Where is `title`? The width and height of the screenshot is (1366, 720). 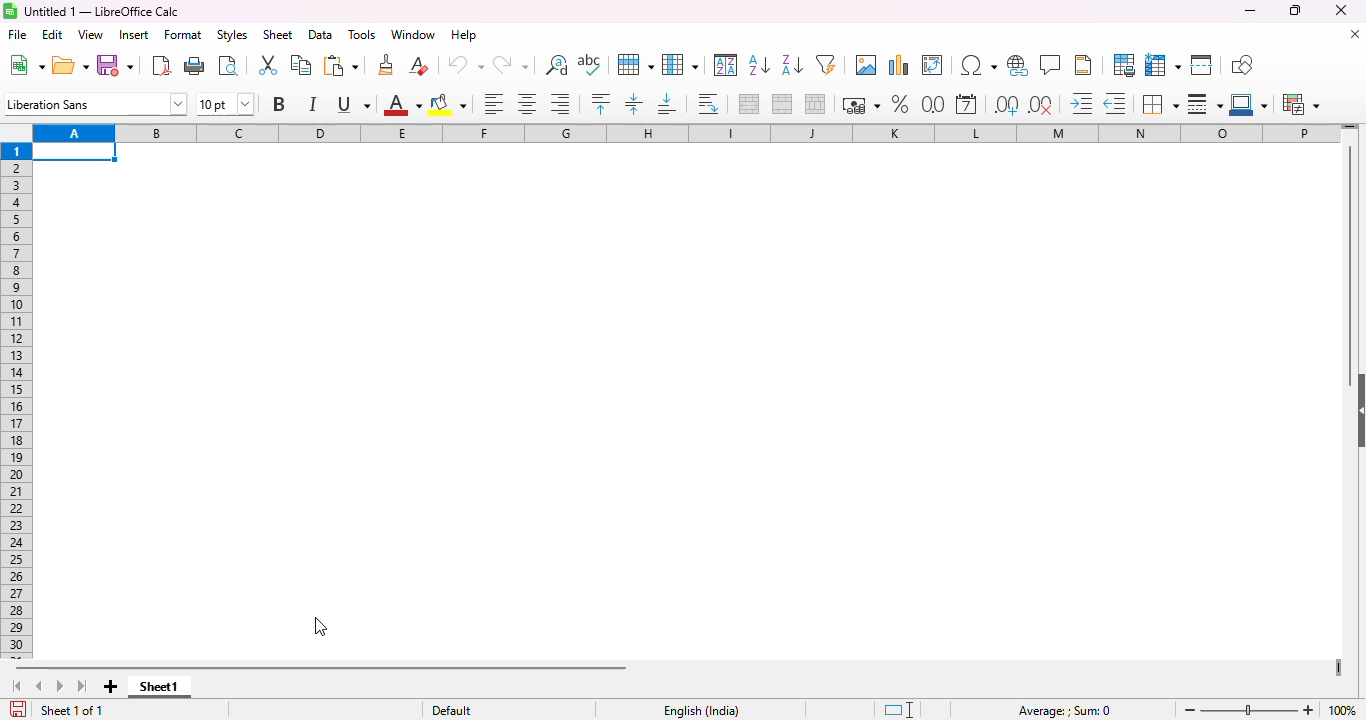 title is located at coordinates (102, 11).